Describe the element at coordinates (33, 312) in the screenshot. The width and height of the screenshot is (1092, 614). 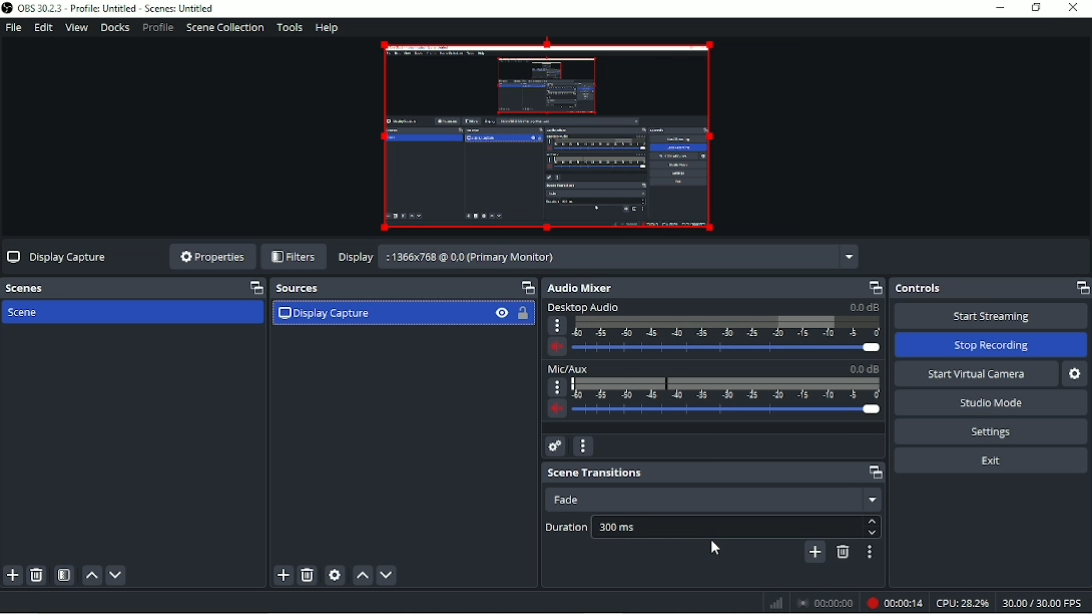
I see `Scene` at that location.